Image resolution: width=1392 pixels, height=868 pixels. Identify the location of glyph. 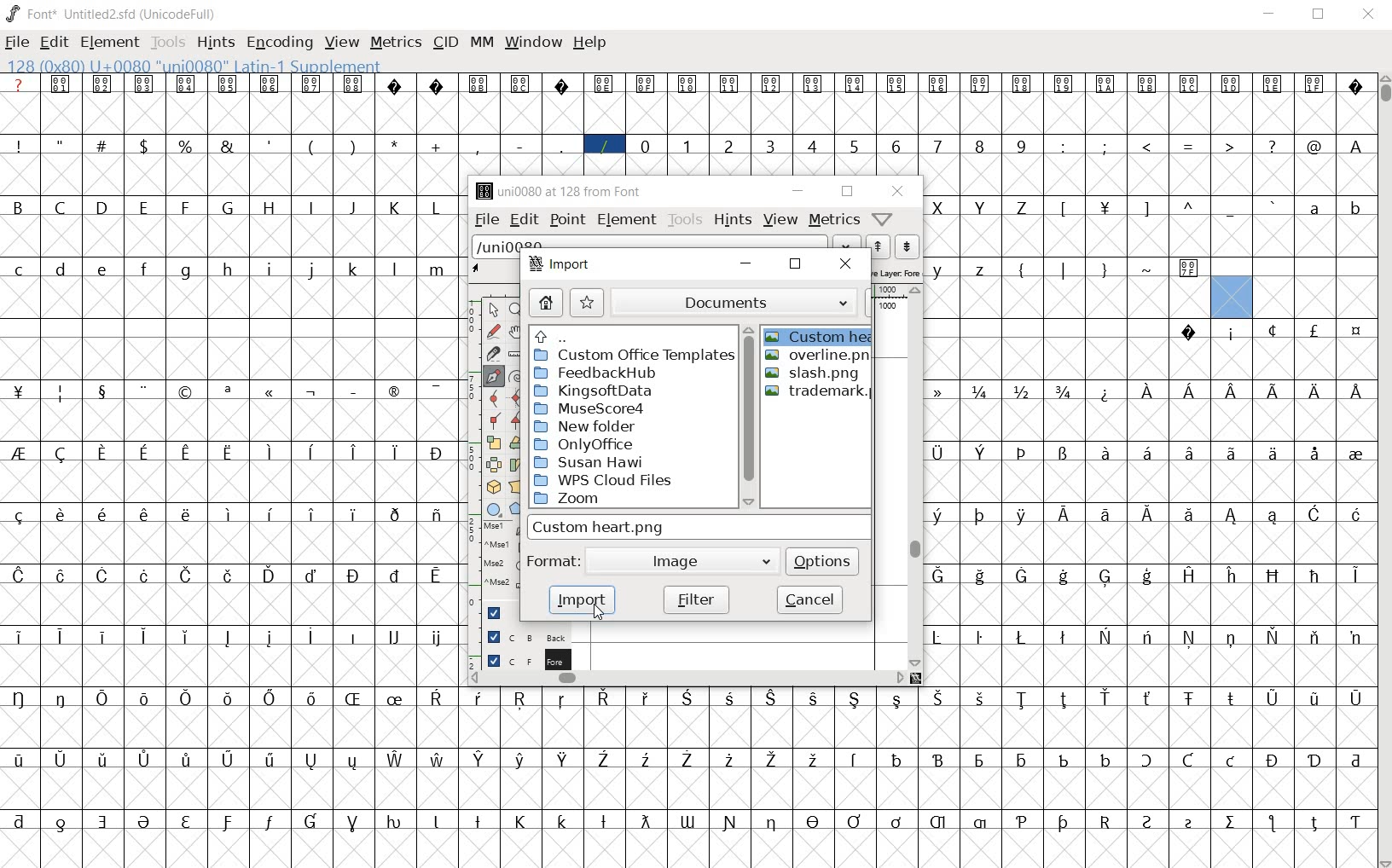
(143, 269).